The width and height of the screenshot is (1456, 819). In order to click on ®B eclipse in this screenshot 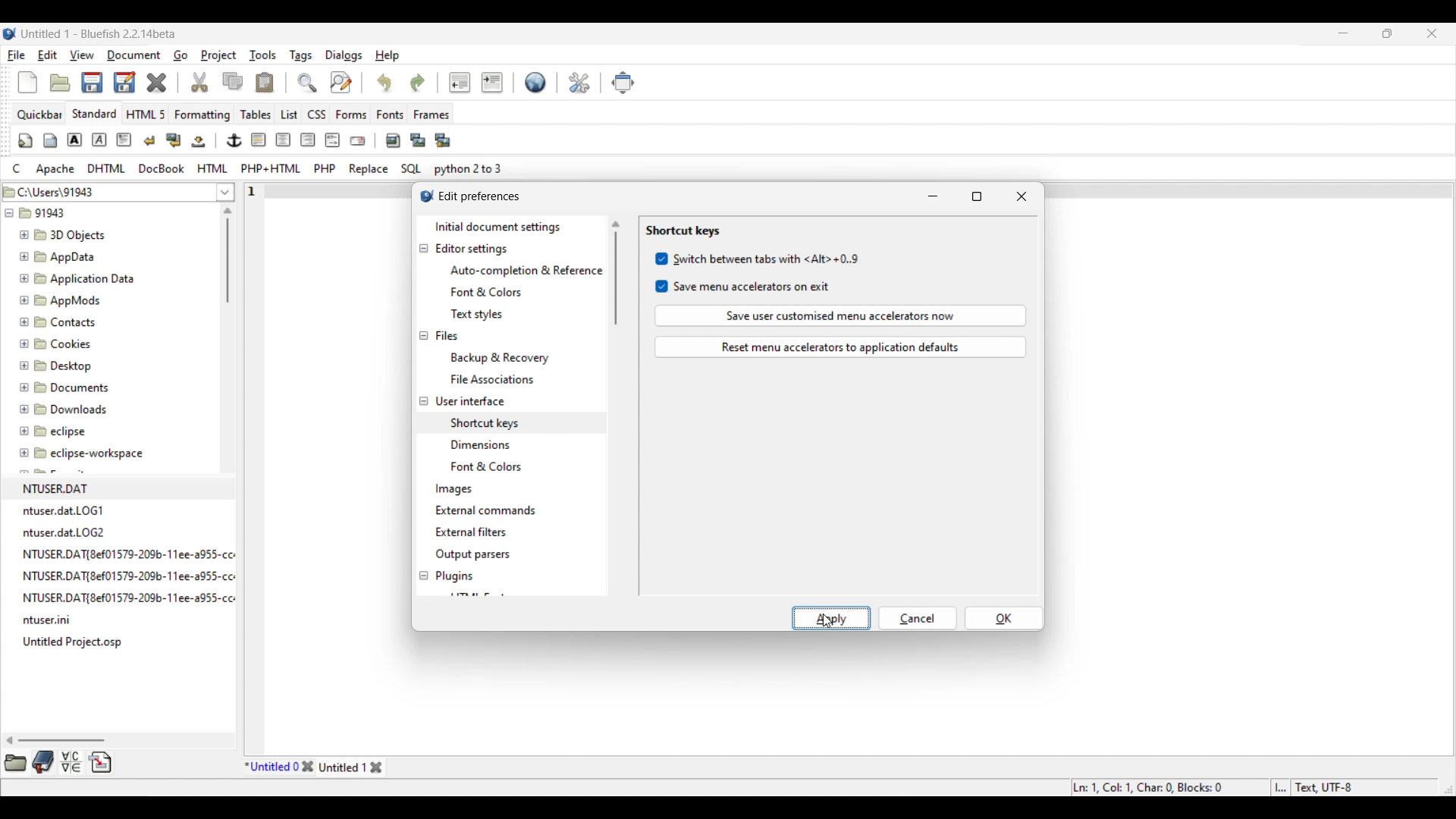, I will do `click(53, 431)`.